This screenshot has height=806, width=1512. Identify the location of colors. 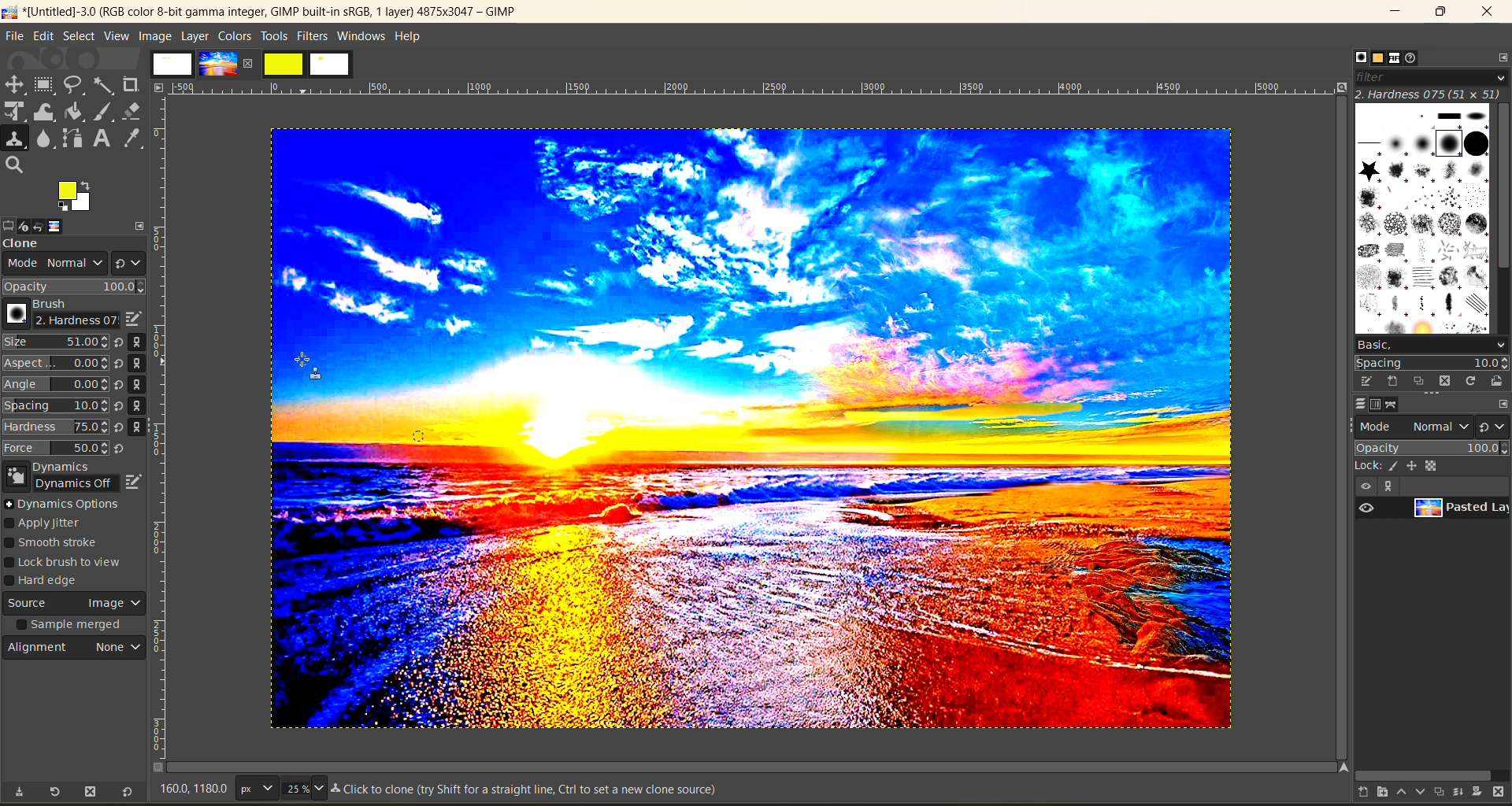
(234, 35).